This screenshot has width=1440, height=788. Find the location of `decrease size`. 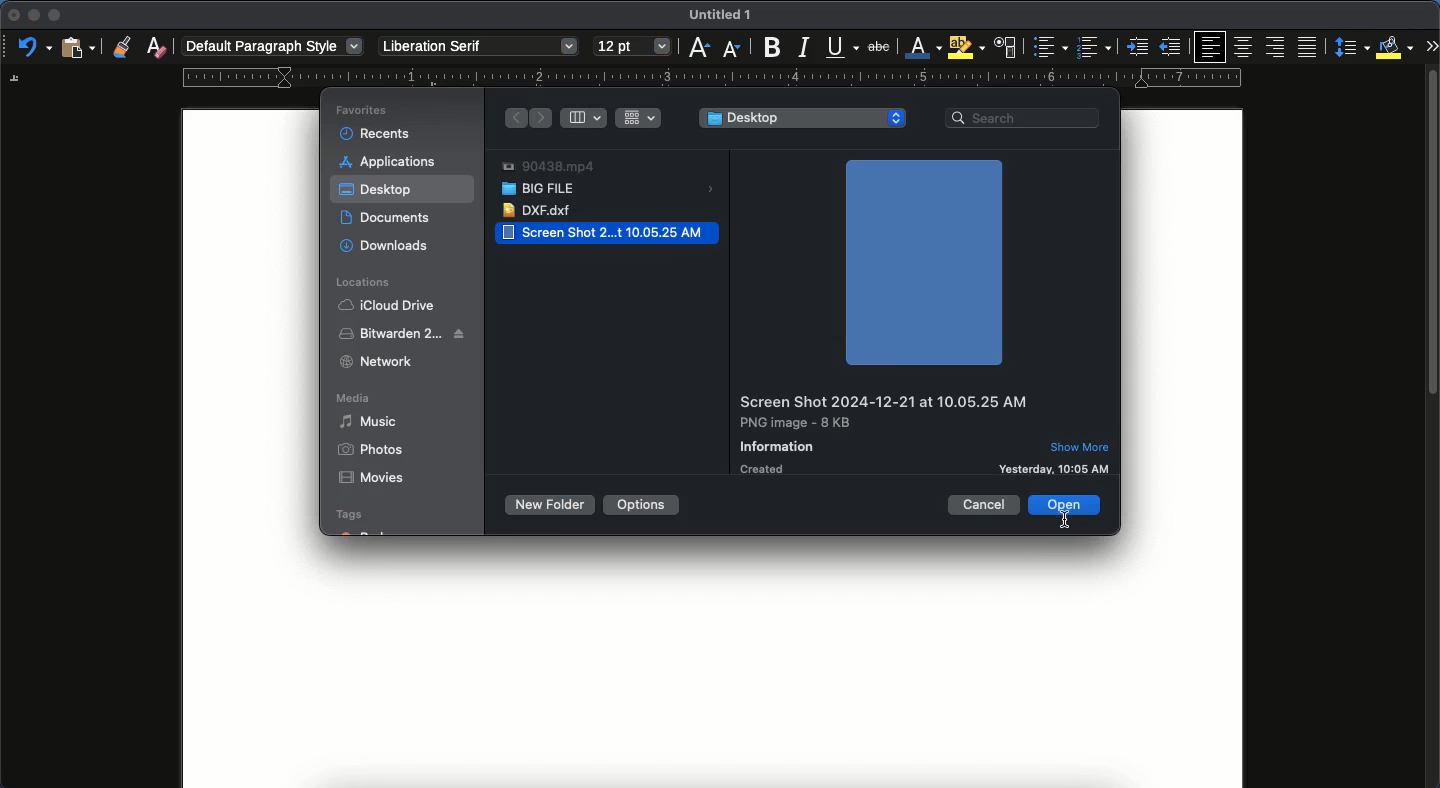

decrease size is located at coordinates (731, 47).